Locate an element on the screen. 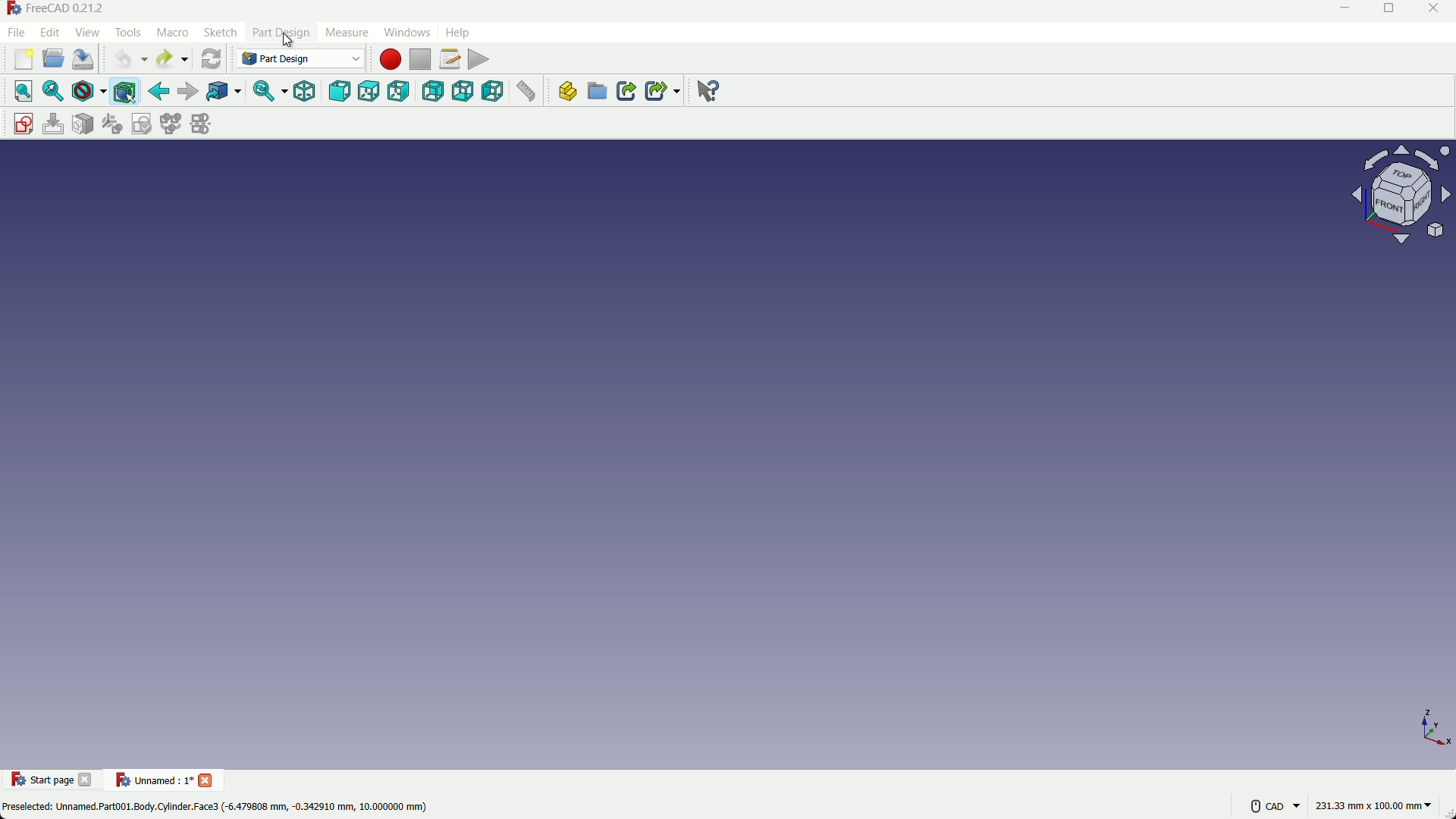  close is located at coordinates (88, 779).